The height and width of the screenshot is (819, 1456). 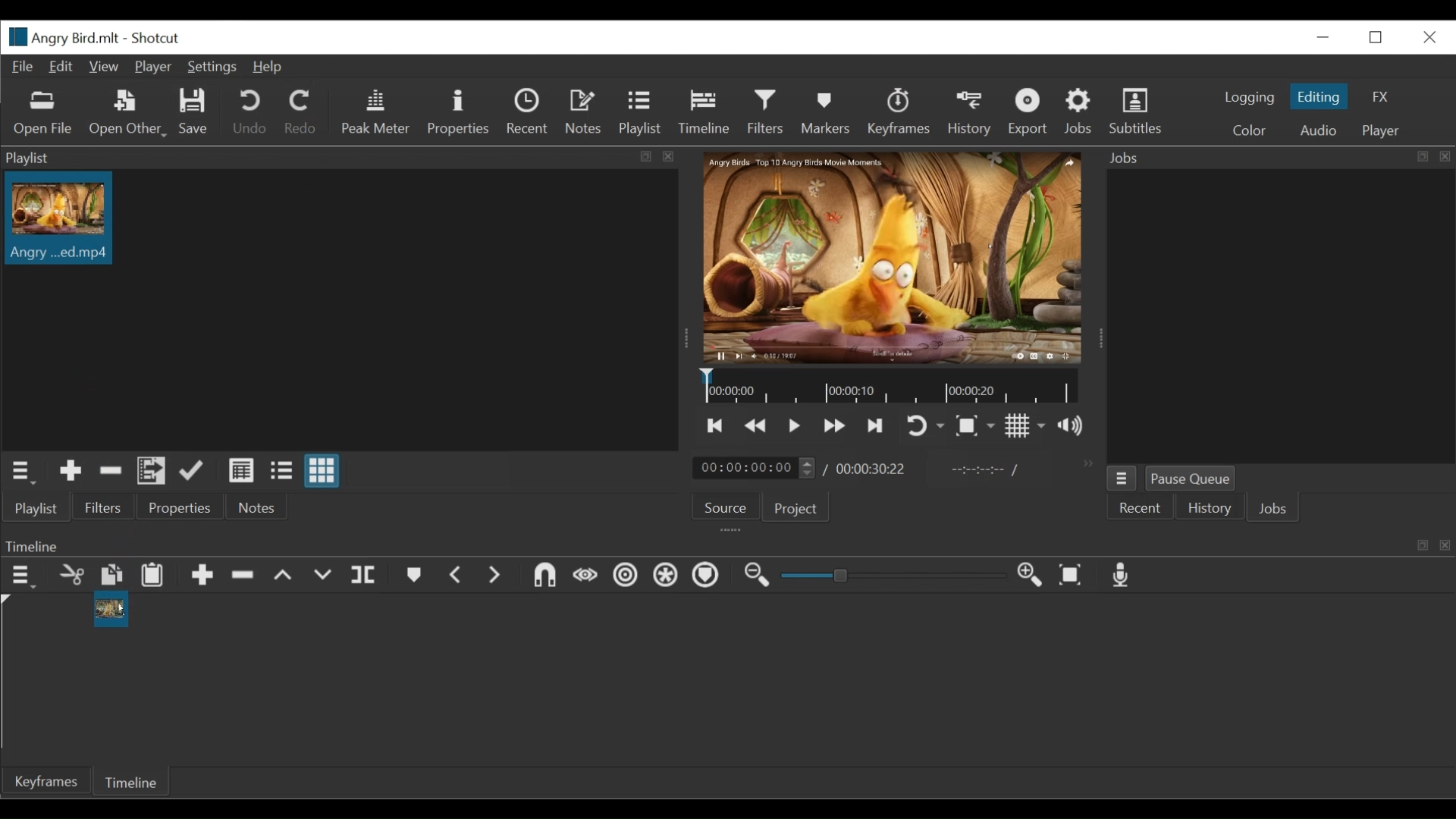 I want to click on Player, so click(x=152, y=67).